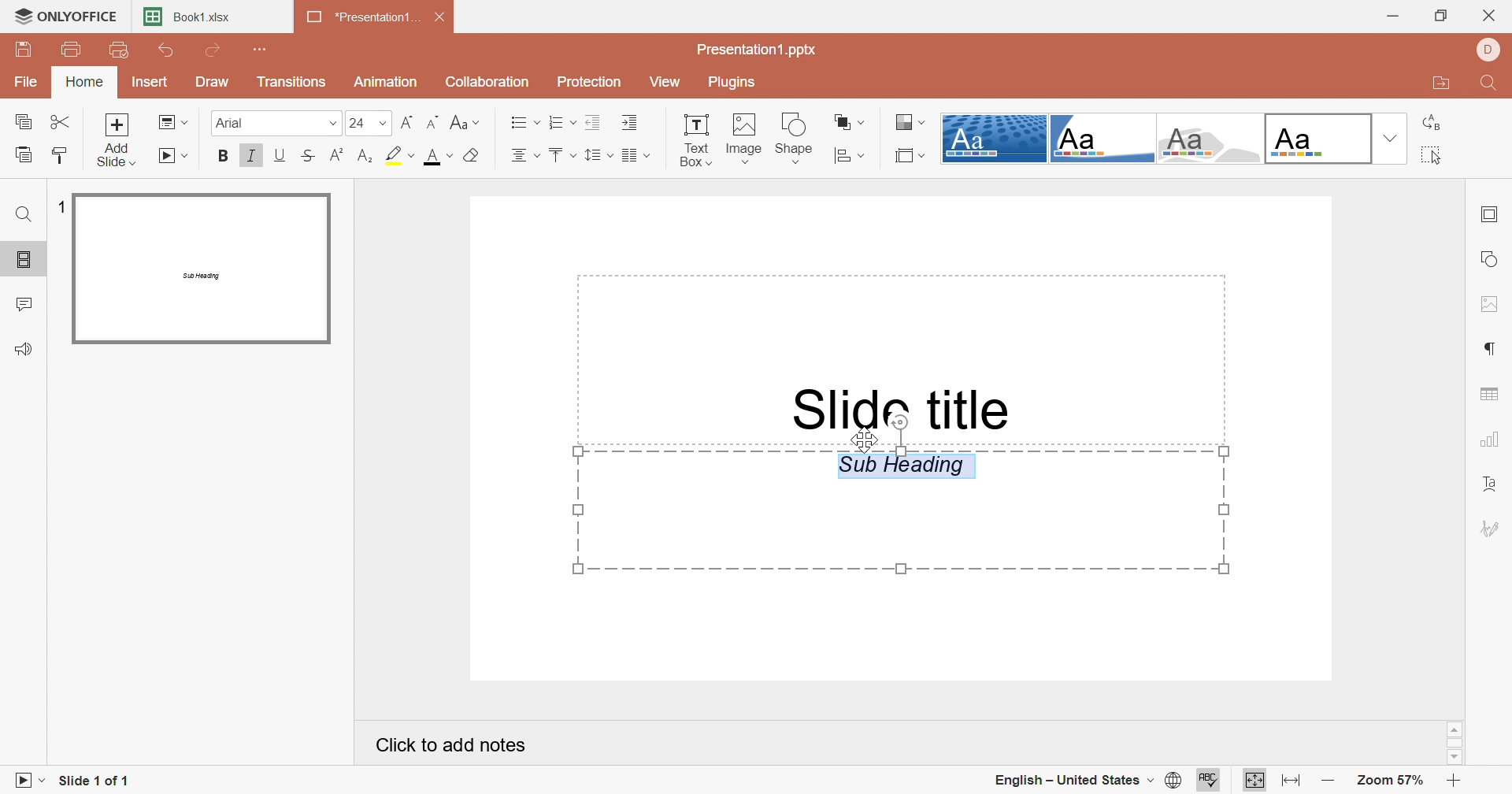 The image size is (1512, 794). I want to click on Sub Heading, so click(896, 511).